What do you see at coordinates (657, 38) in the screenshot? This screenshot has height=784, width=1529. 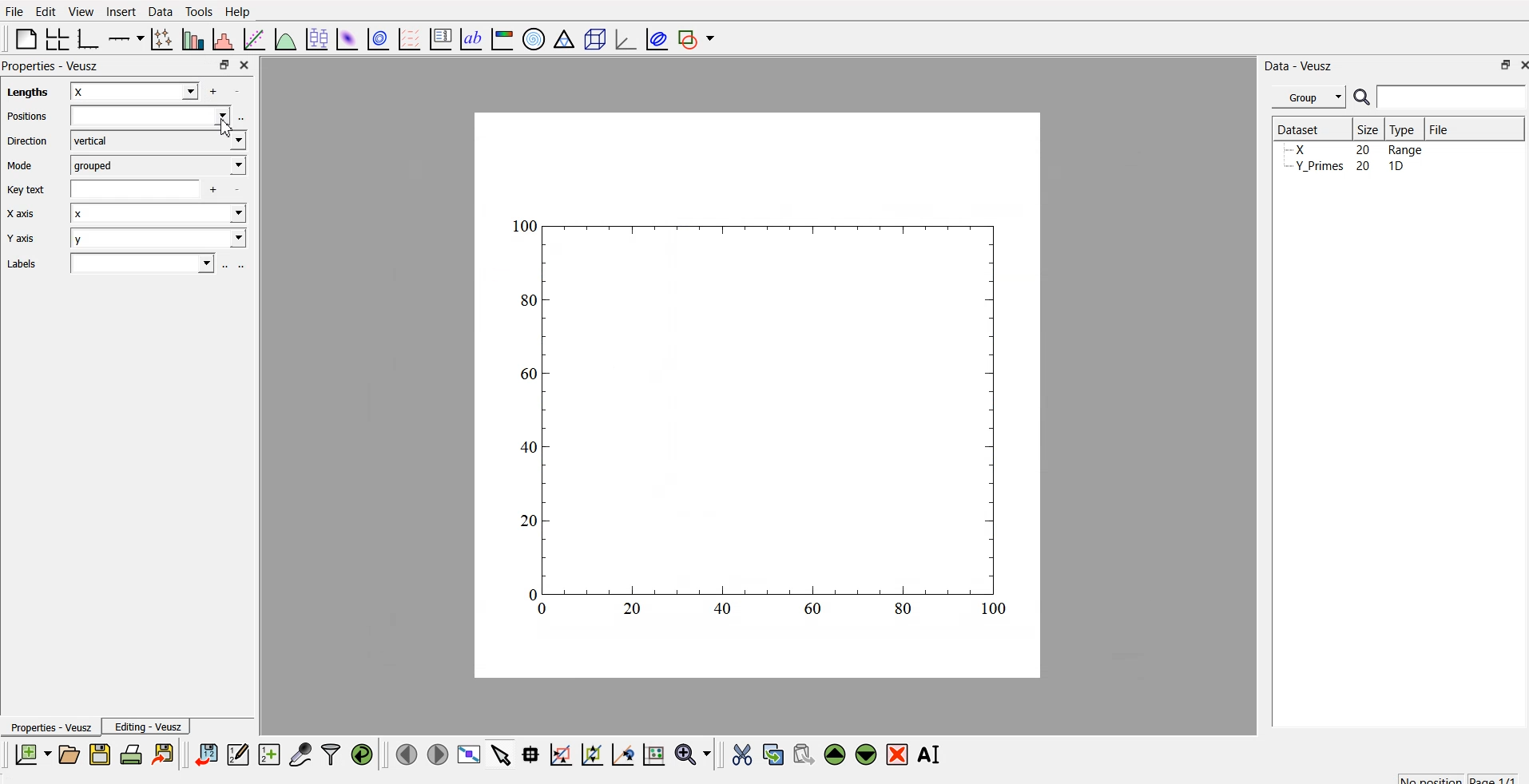 I see `plot covariance ellipses` at bounding box center [657, 38].